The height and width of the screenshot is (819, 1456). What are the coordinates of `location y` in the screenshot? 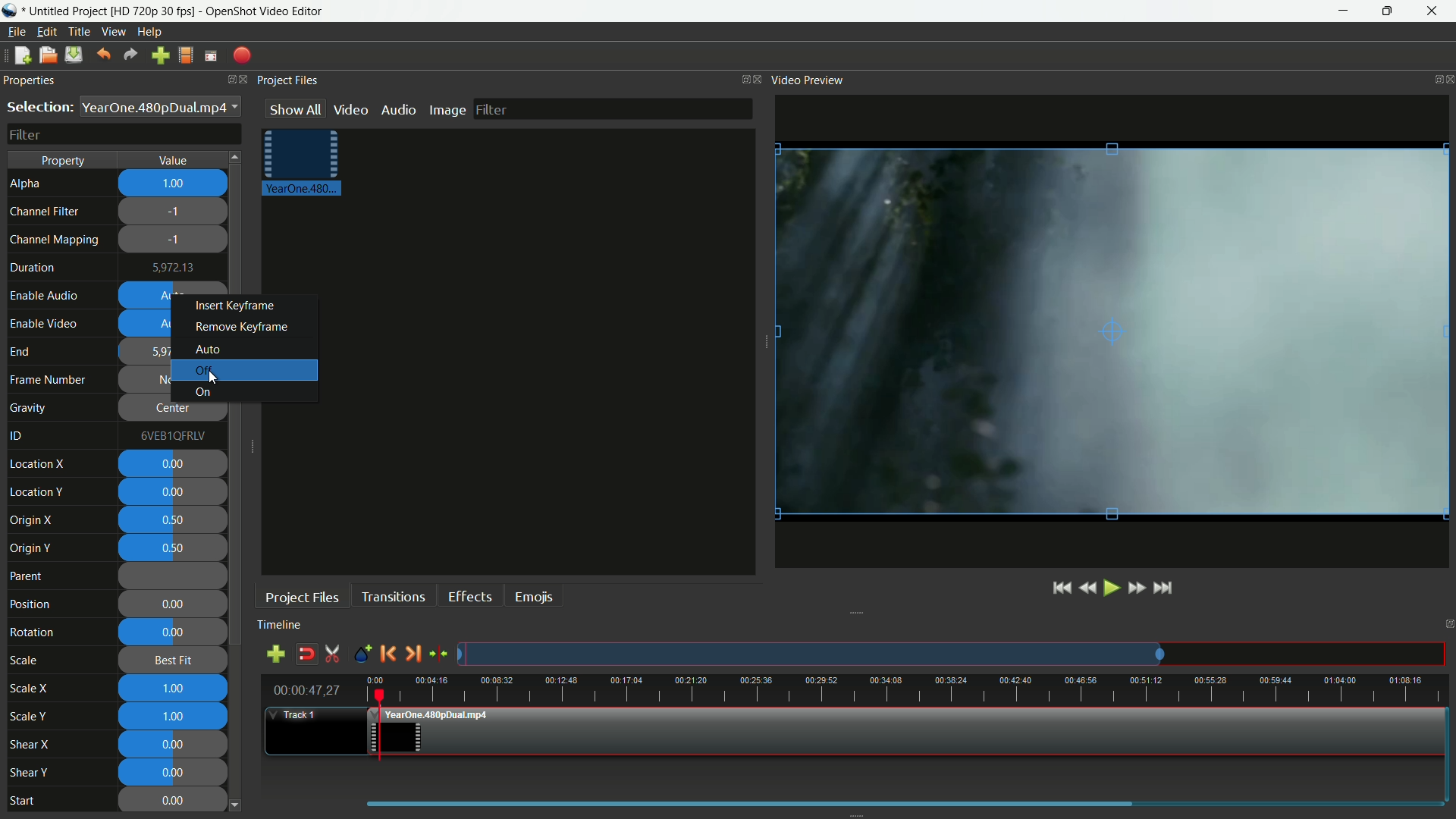 It's located at (37, 491).